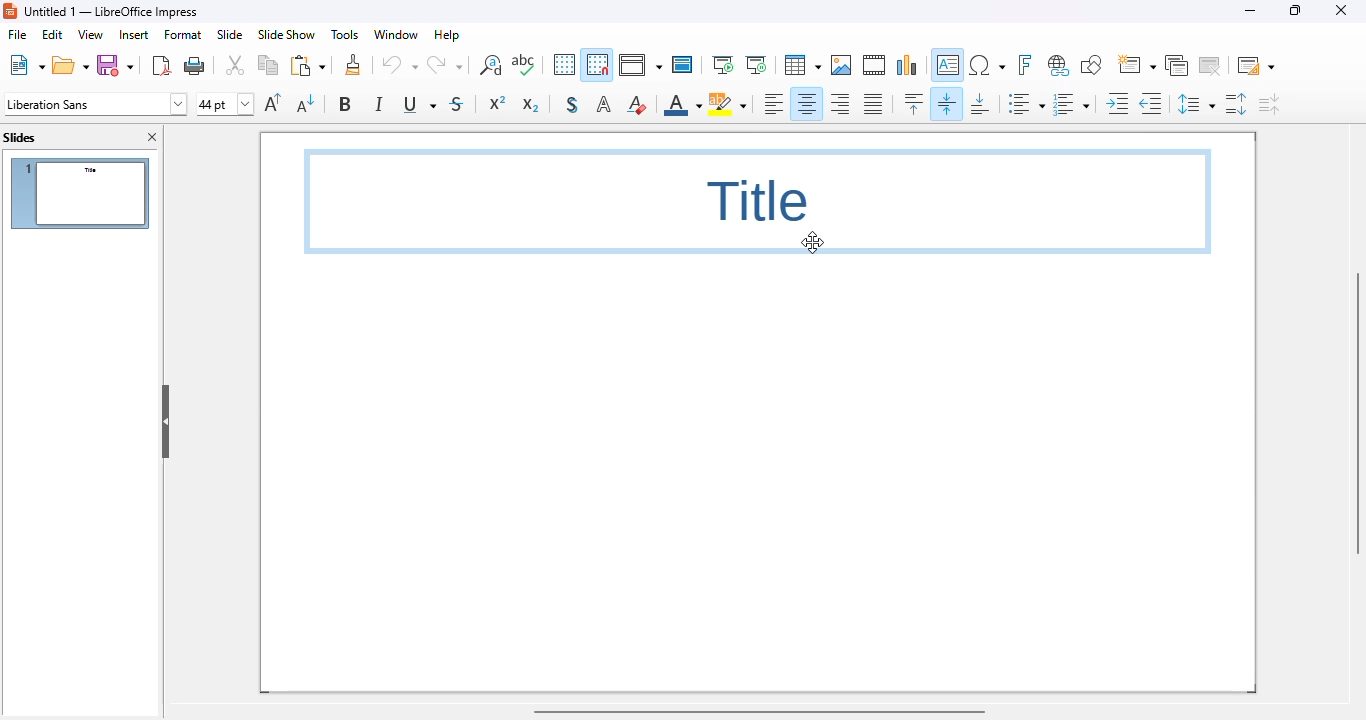 The width and height of the screenshot is (1366, 720). I want to click on slide, so click(230, 35).